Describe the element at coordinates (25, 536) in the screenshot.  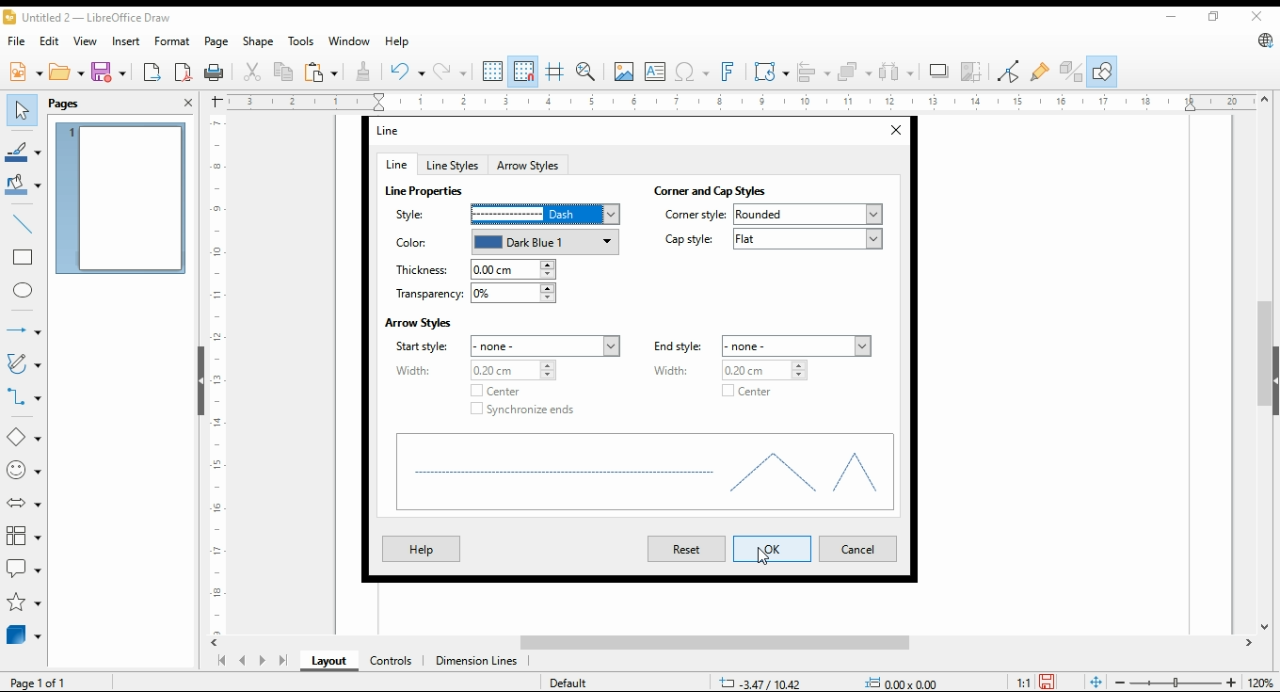
I see `flowchart` at that location.